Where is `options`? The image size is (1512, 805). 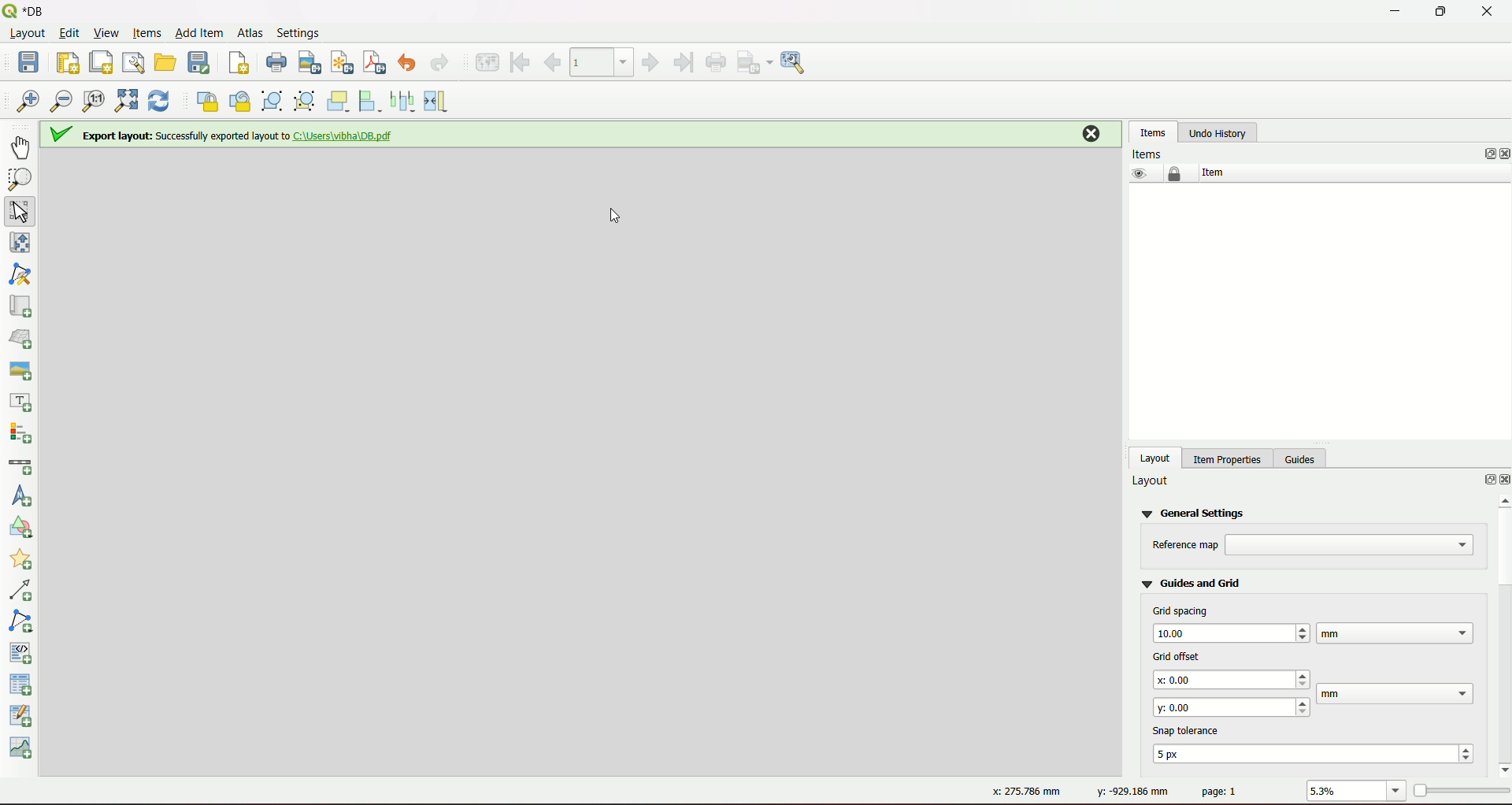
options is located at coordinates (1490, 154).